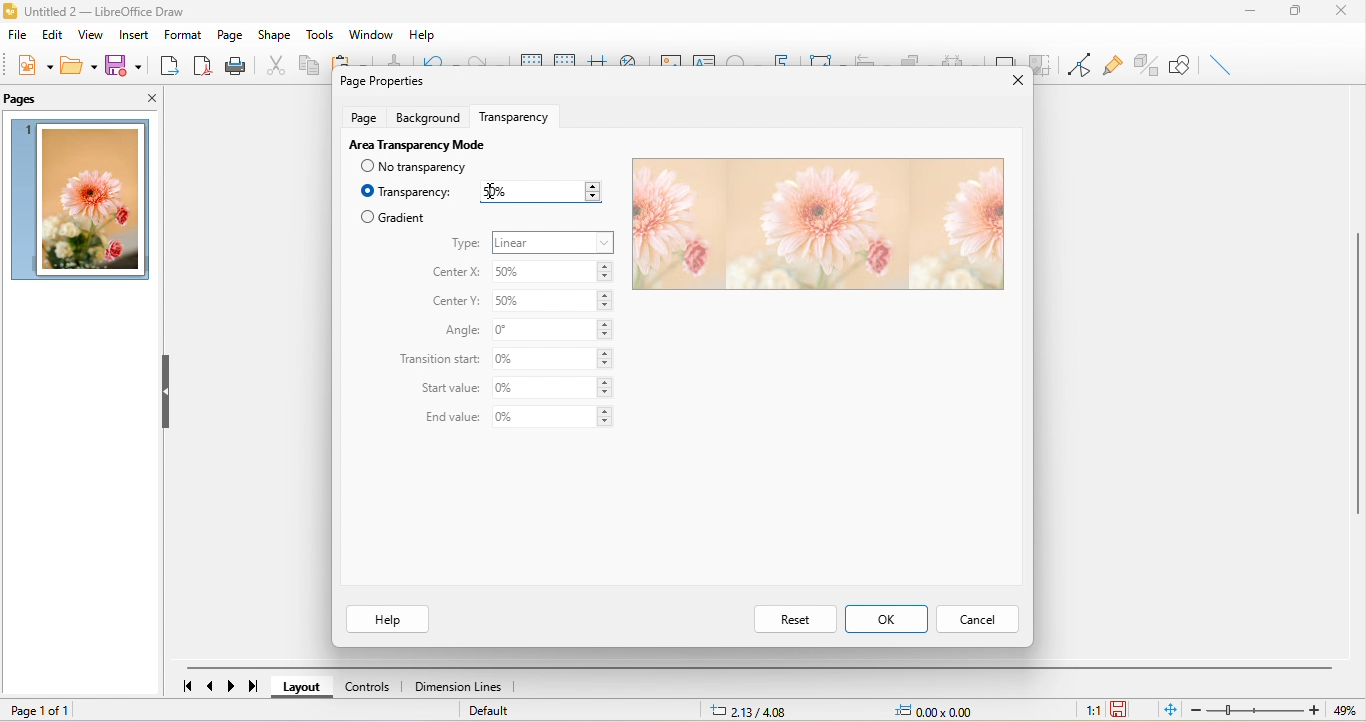 The image size is (1366, 722). Describe the element at coordinates (491, 711) in the screenshot. I see `default` at that location.